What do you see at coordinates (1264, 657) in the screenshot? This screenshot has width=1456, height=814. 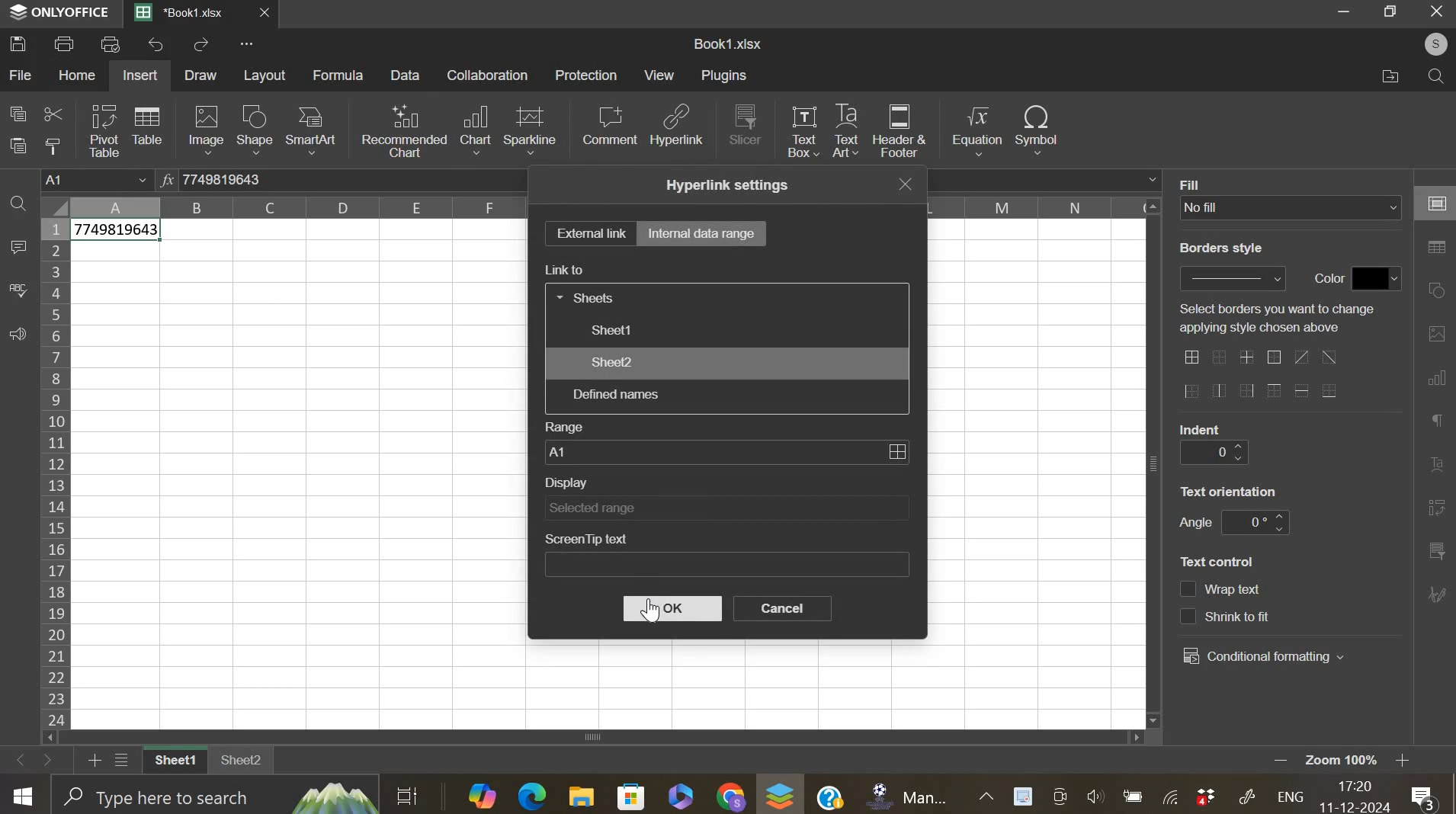 I see `conditional formatting` at bounding box center [1264, 657].